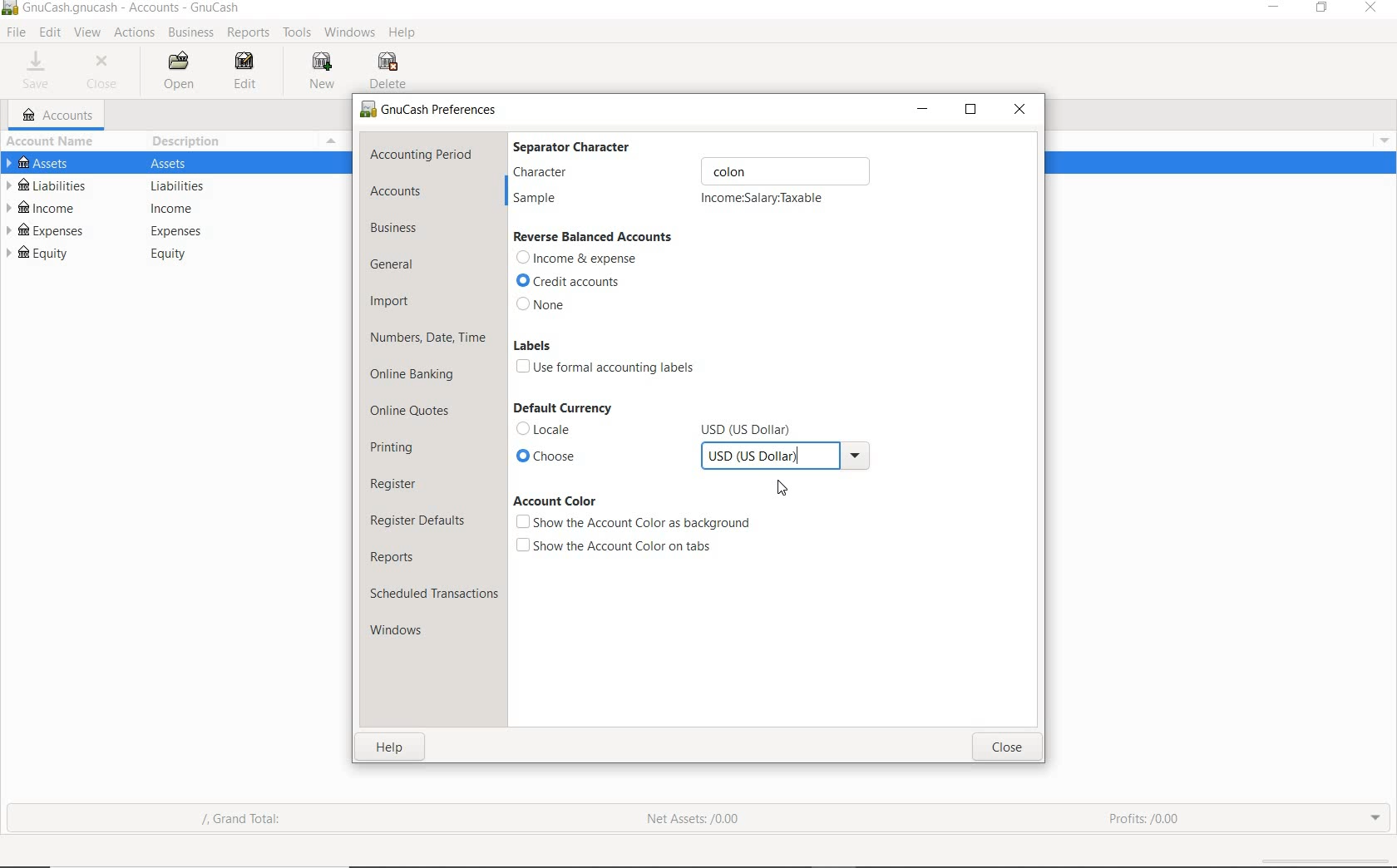 This screenshot has height=868, width=1397. Describe the element at coordinates (1376, 818) in the screenshot. I see `expand` at that location.